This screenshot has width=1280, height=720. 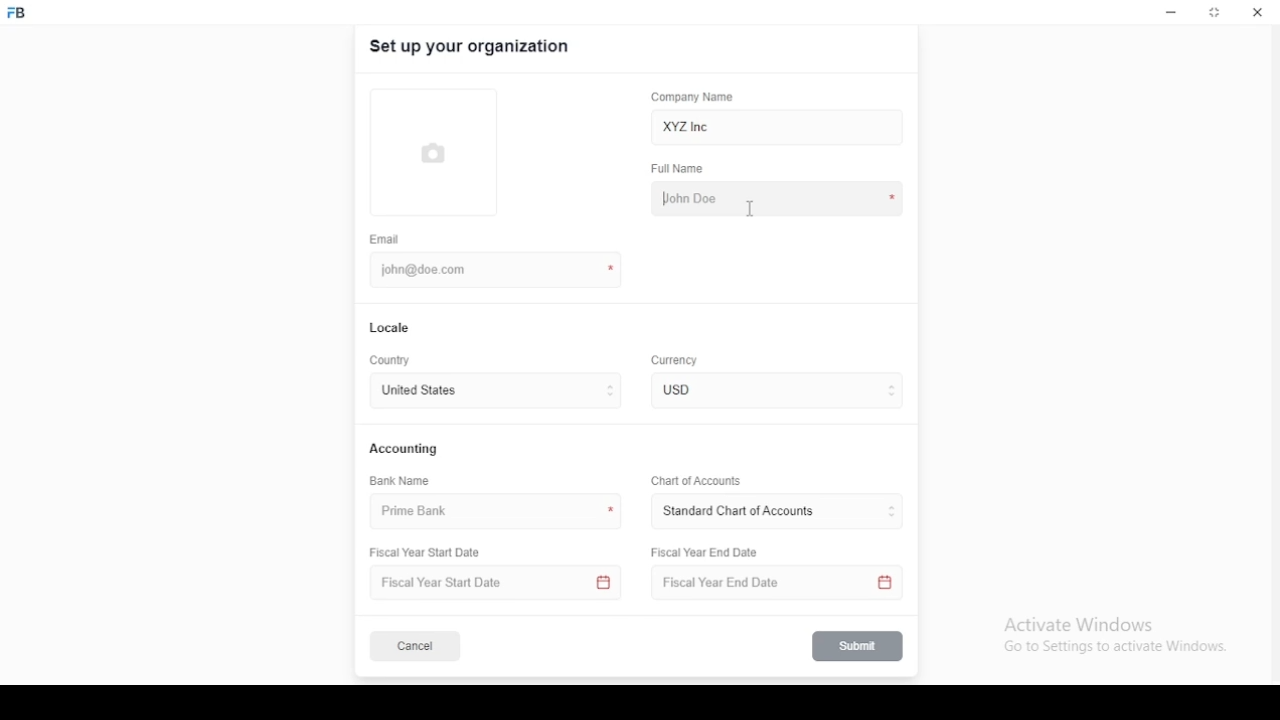 What do you see at coordinates (675, 361) in the screenshot?
I see `Currency` at bounding box center [675, 361].